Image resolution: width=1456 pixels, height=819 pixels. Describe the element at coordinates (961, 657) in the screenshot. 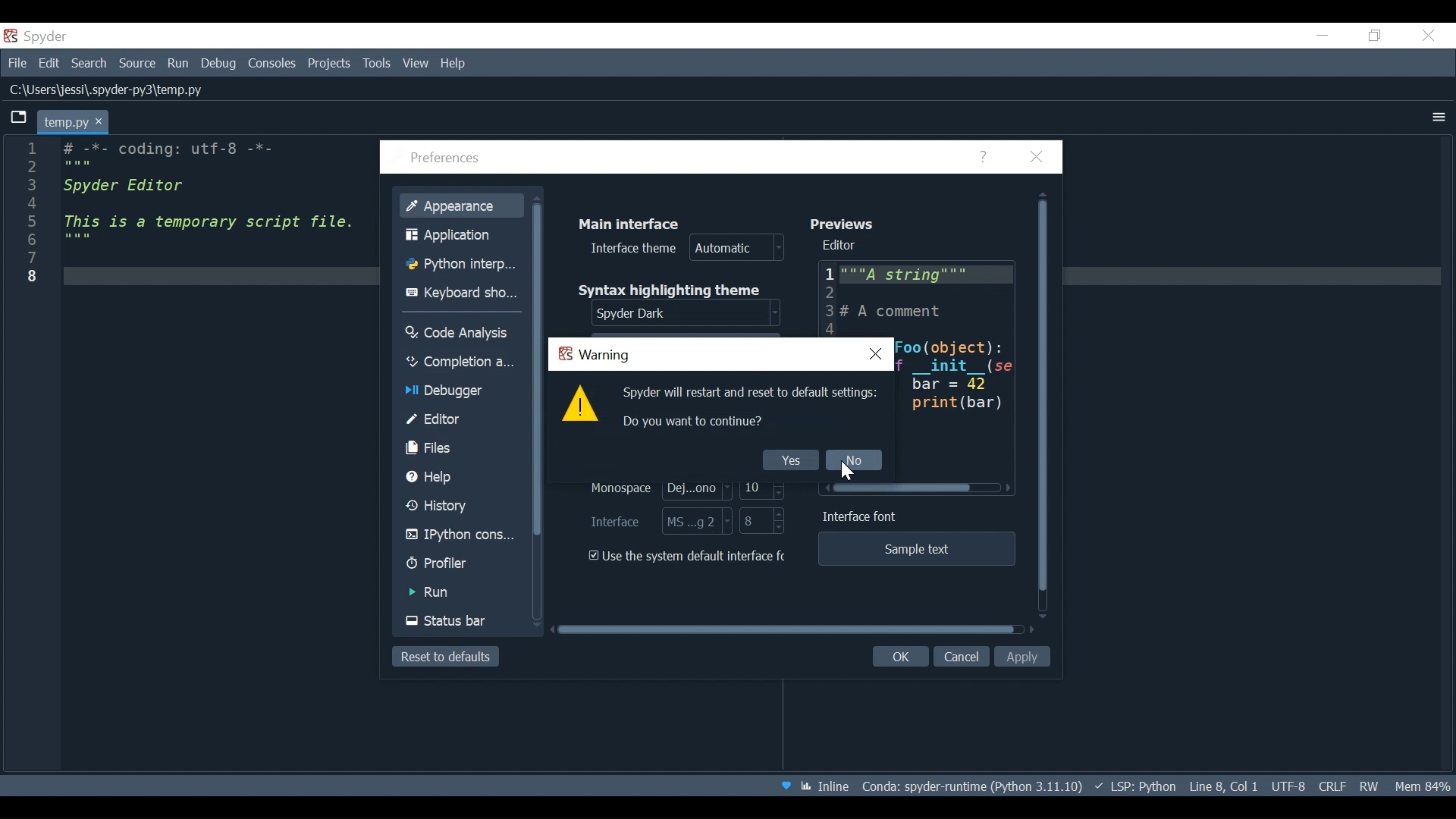

I see `Cancel` at that location.